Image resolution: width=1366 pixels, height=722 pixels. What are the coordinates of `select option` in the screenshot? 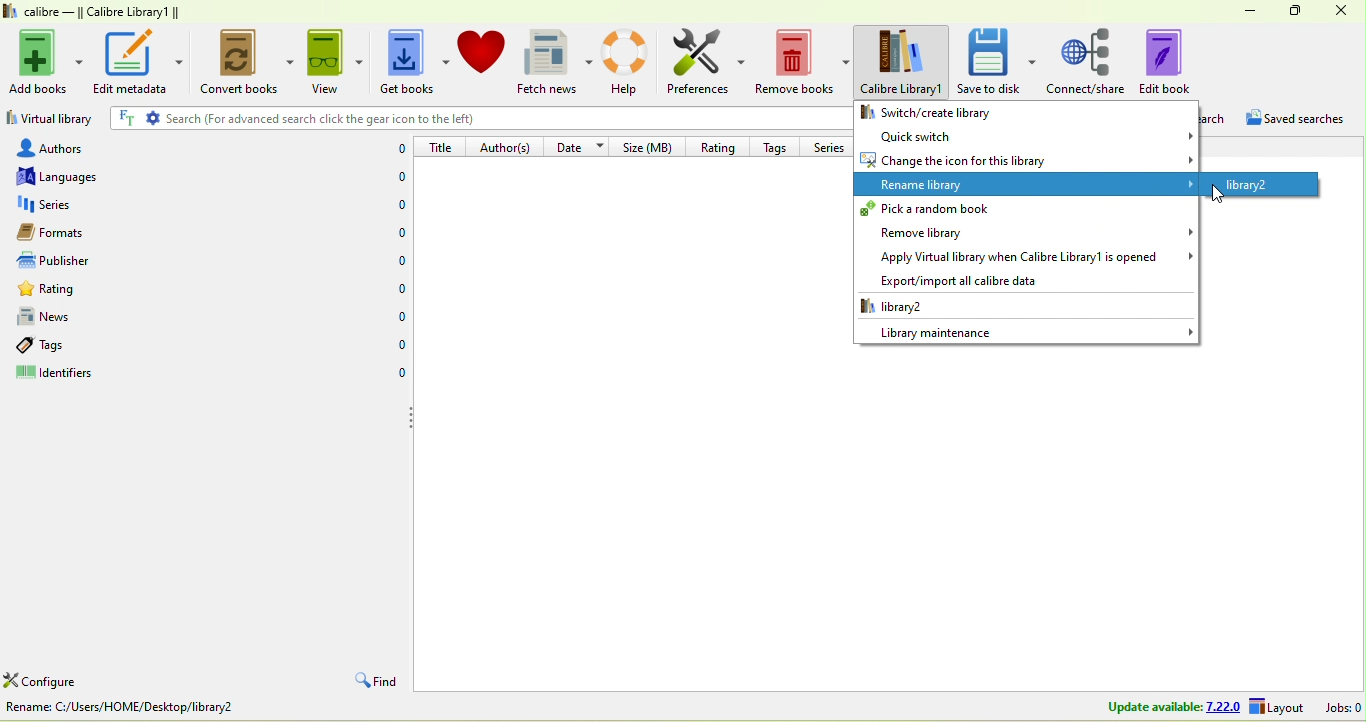 It's located at (1258, 184).